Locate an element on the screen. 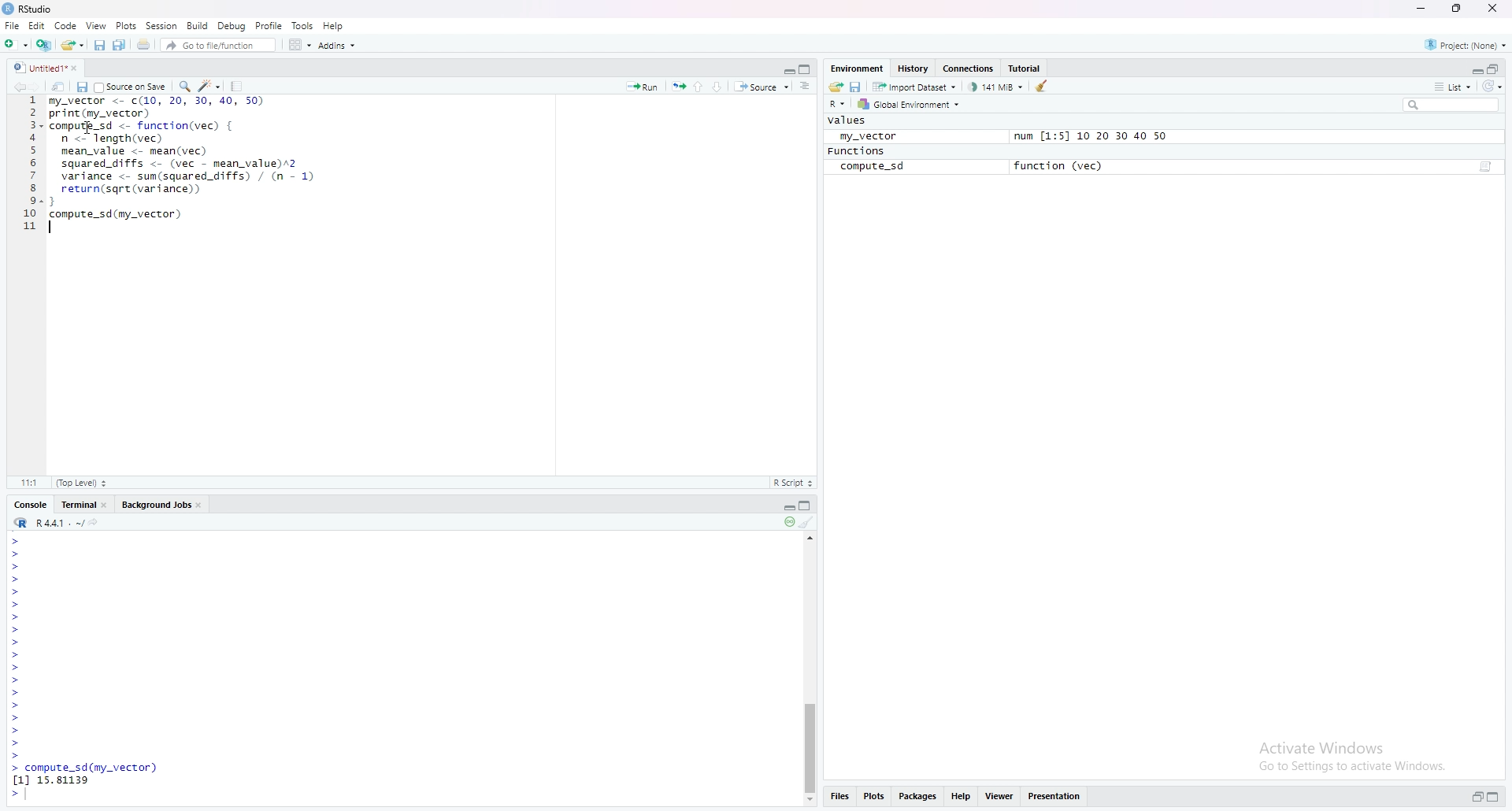  Values is located at coordinates (848, 120).